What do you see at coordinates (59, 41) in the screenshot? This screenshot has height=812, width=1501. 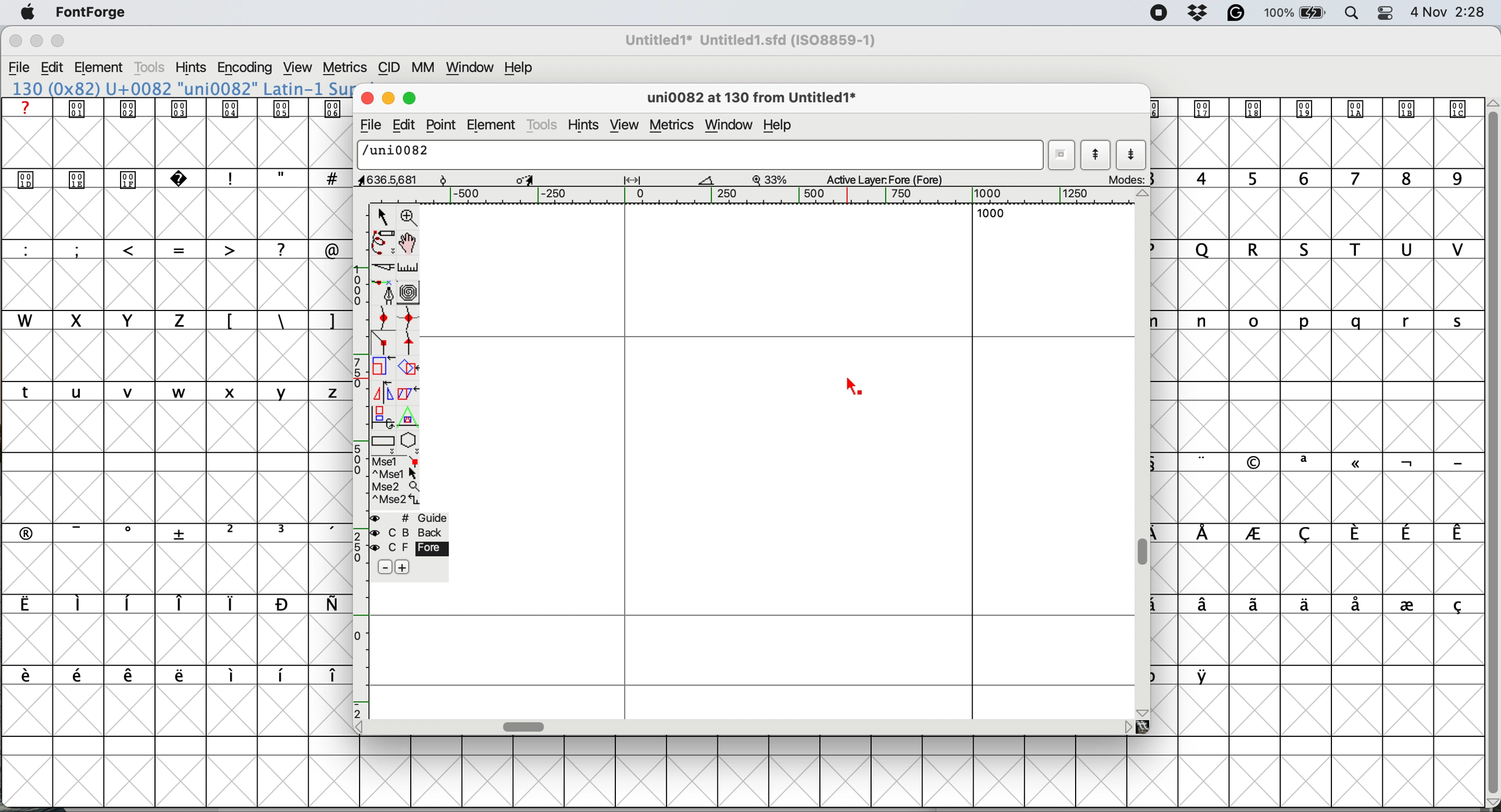 I see `maximise` at bounding box center [59, 41].